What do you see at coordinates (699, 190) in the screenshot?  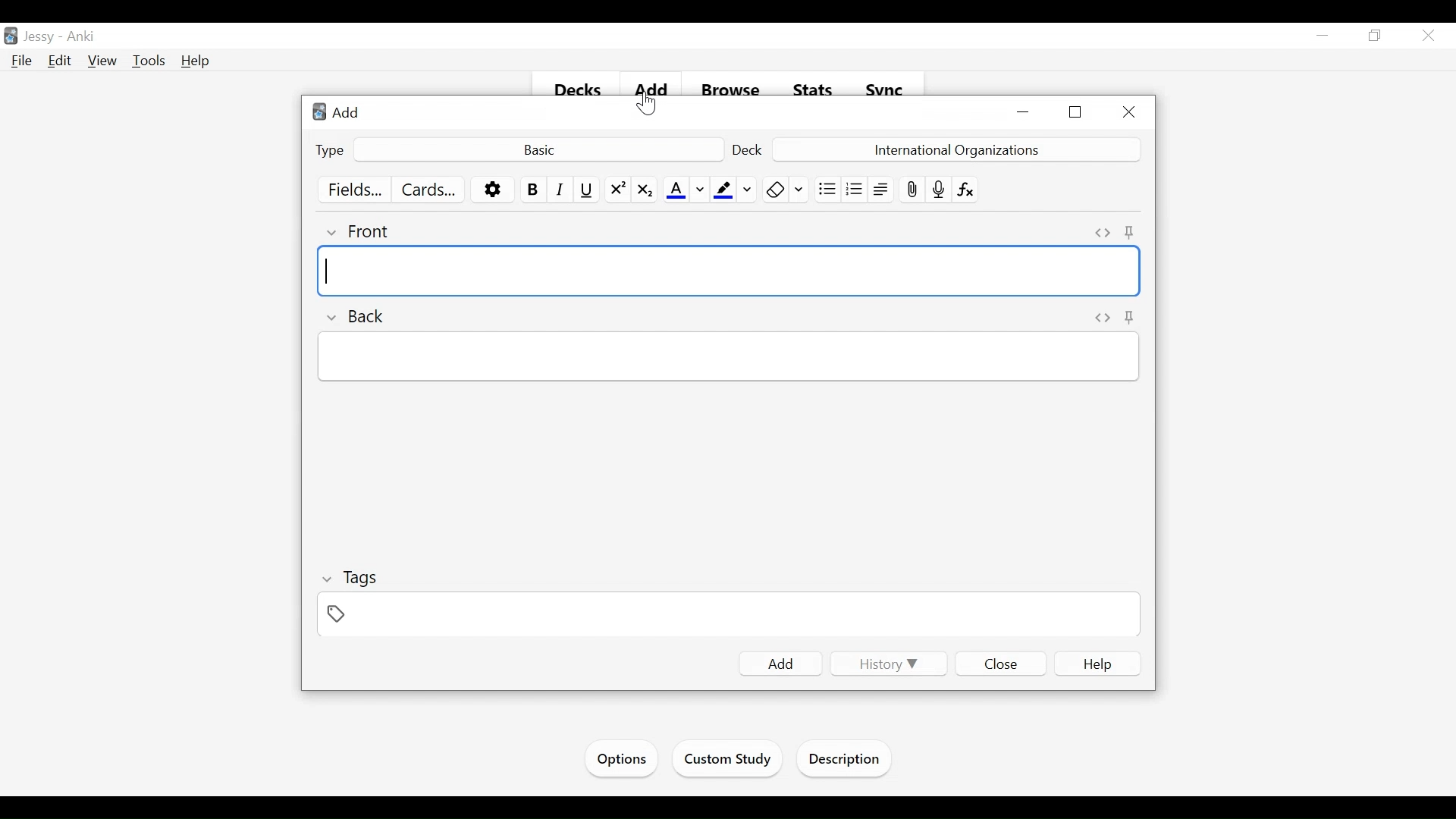 I see `Change color` at bounding box center [699, 190].